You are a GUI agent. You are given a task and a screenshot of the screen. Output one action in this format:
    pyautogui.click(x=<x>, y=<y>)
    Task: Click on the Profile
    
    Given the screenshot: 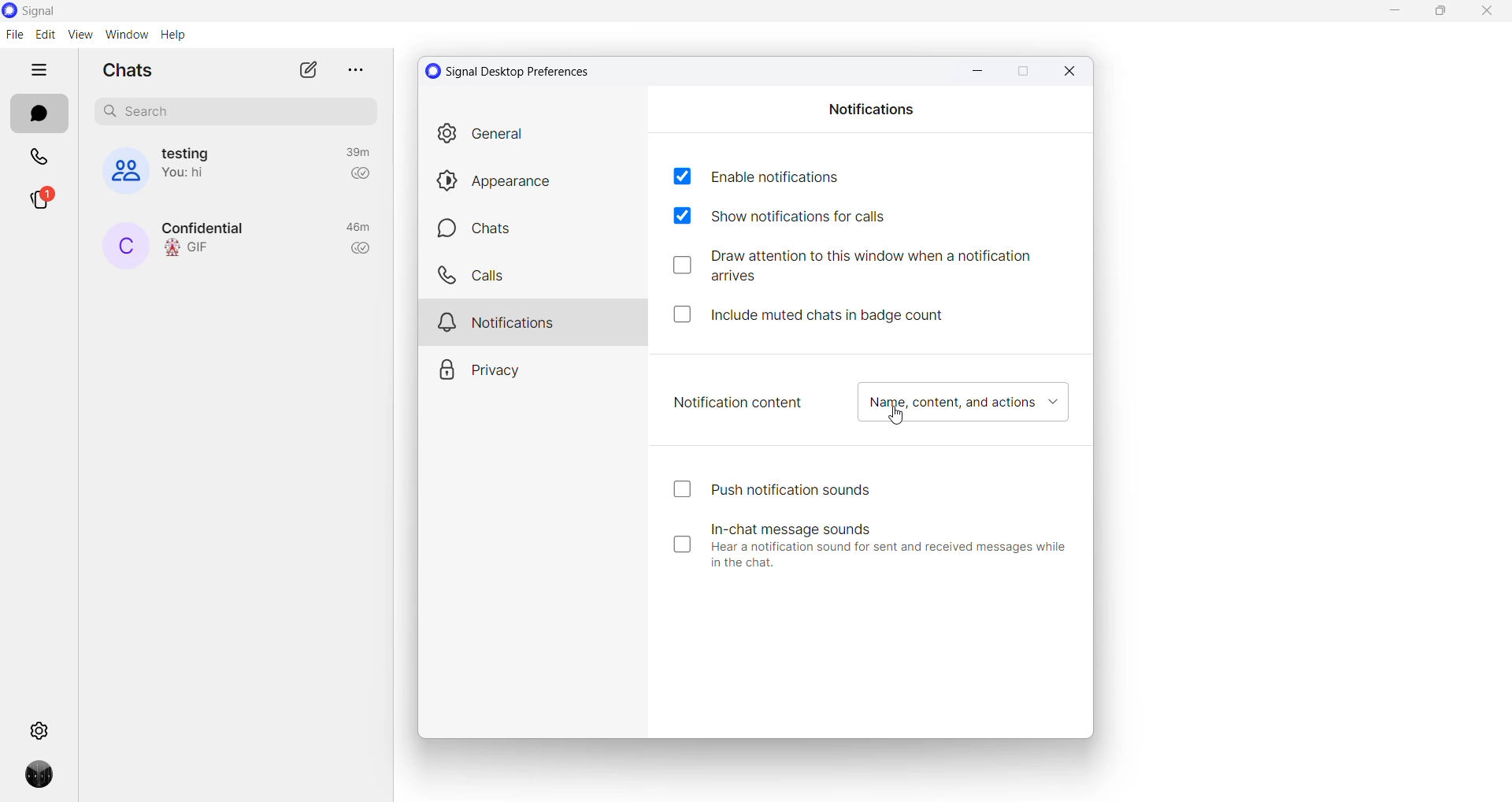 What is the action you would take?
    pyautogui.click(x=34, y=780)
    